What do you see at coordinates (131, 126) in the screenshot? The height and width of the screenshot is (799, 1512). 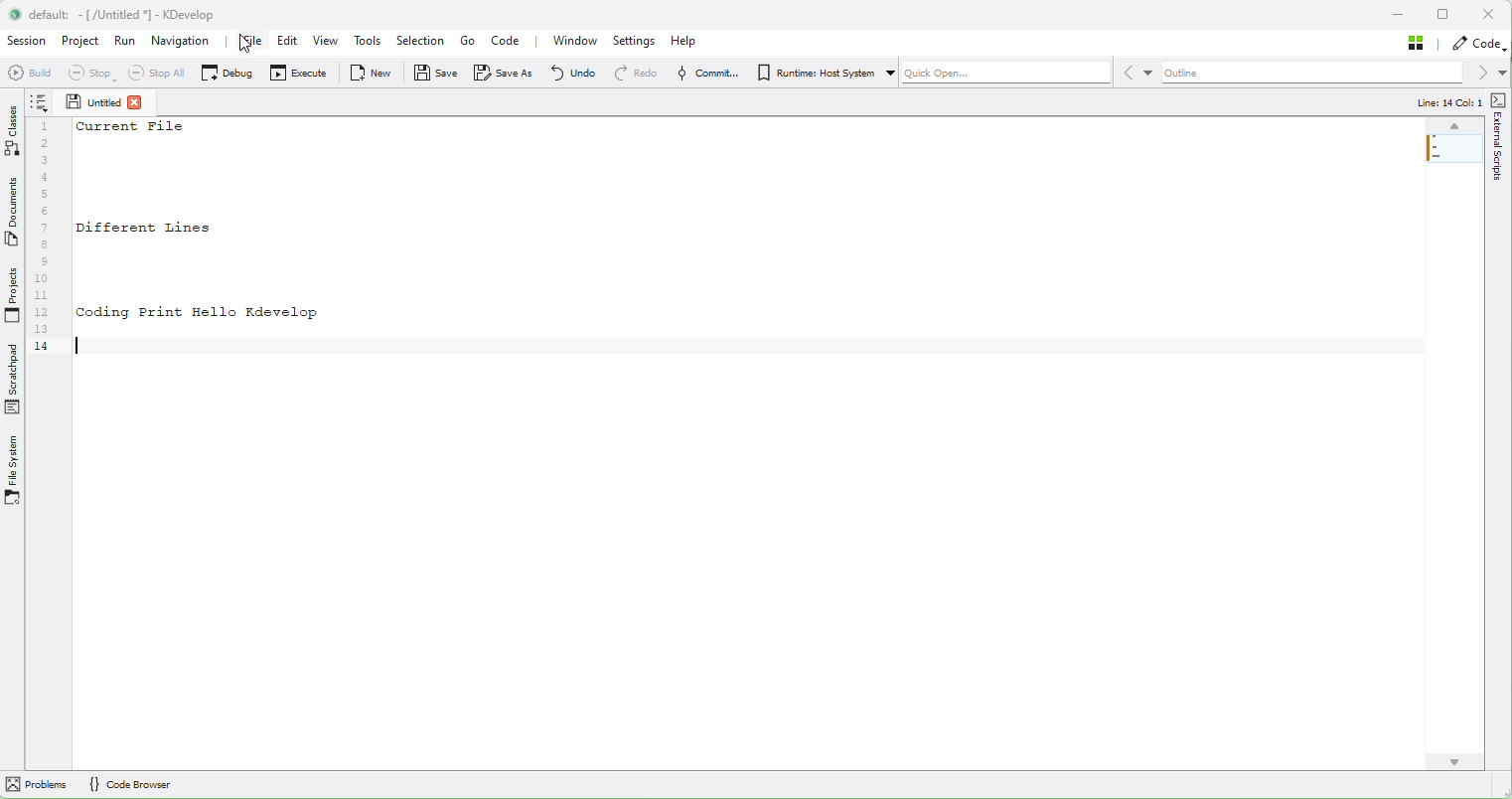 I see `Current File` at bounding box center [131, 126].